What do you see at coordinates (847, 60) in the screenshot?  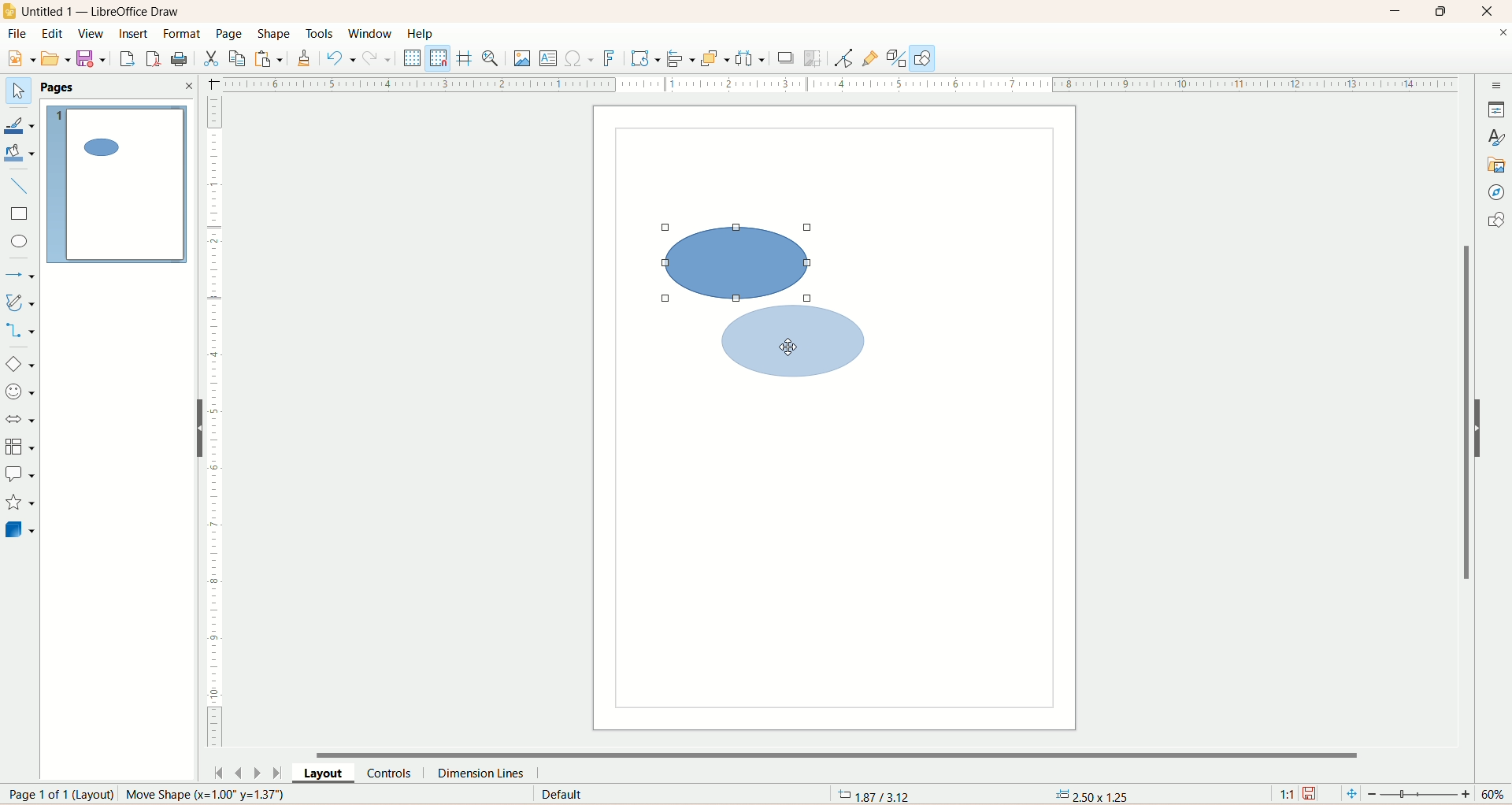 I see `point edit mode` at bounding box center [847, 60].